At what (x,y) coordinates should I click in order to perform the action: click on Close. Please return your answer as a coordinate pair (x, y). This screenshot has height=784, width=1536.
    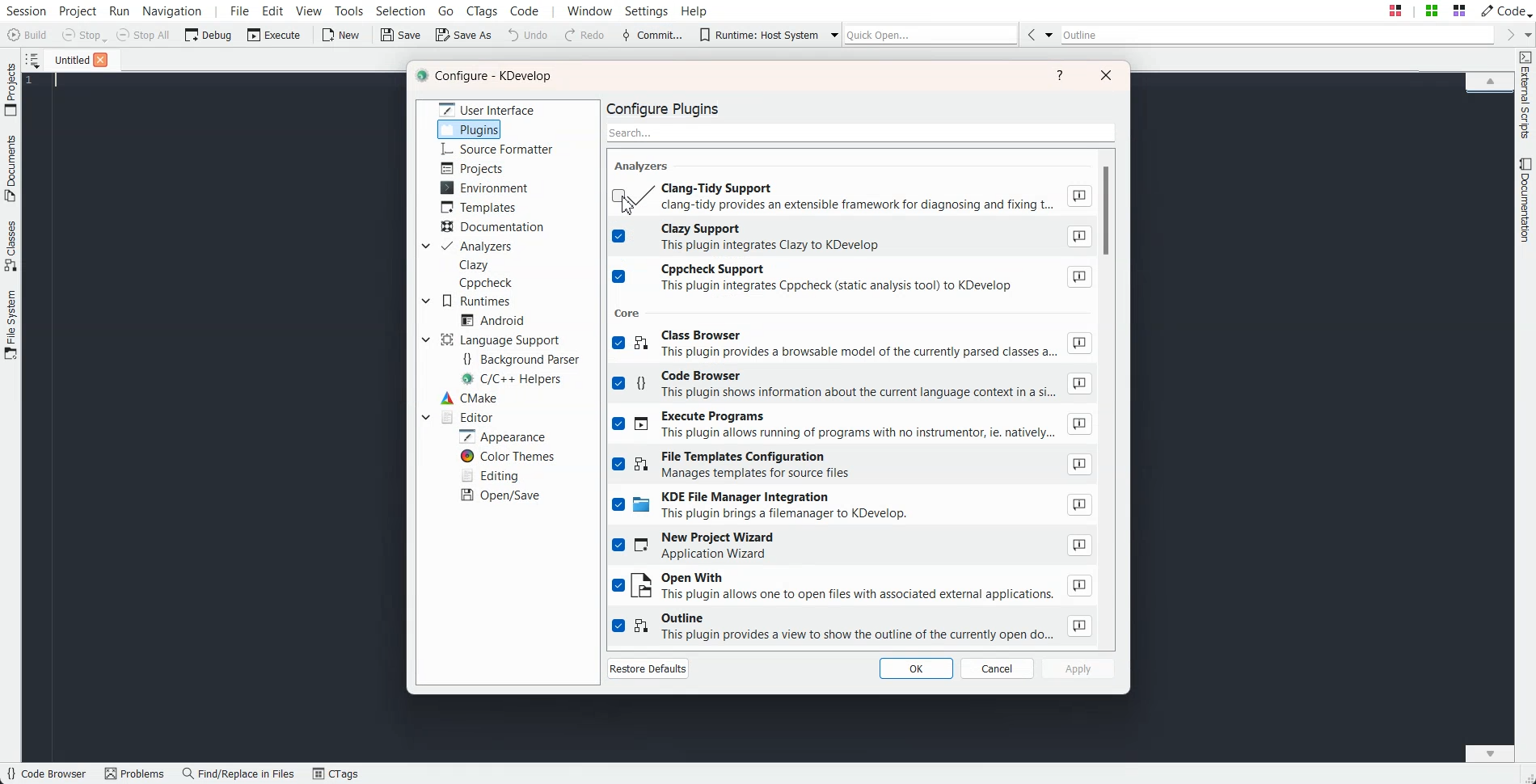
    Looking at the image, I should click on (100, 60).